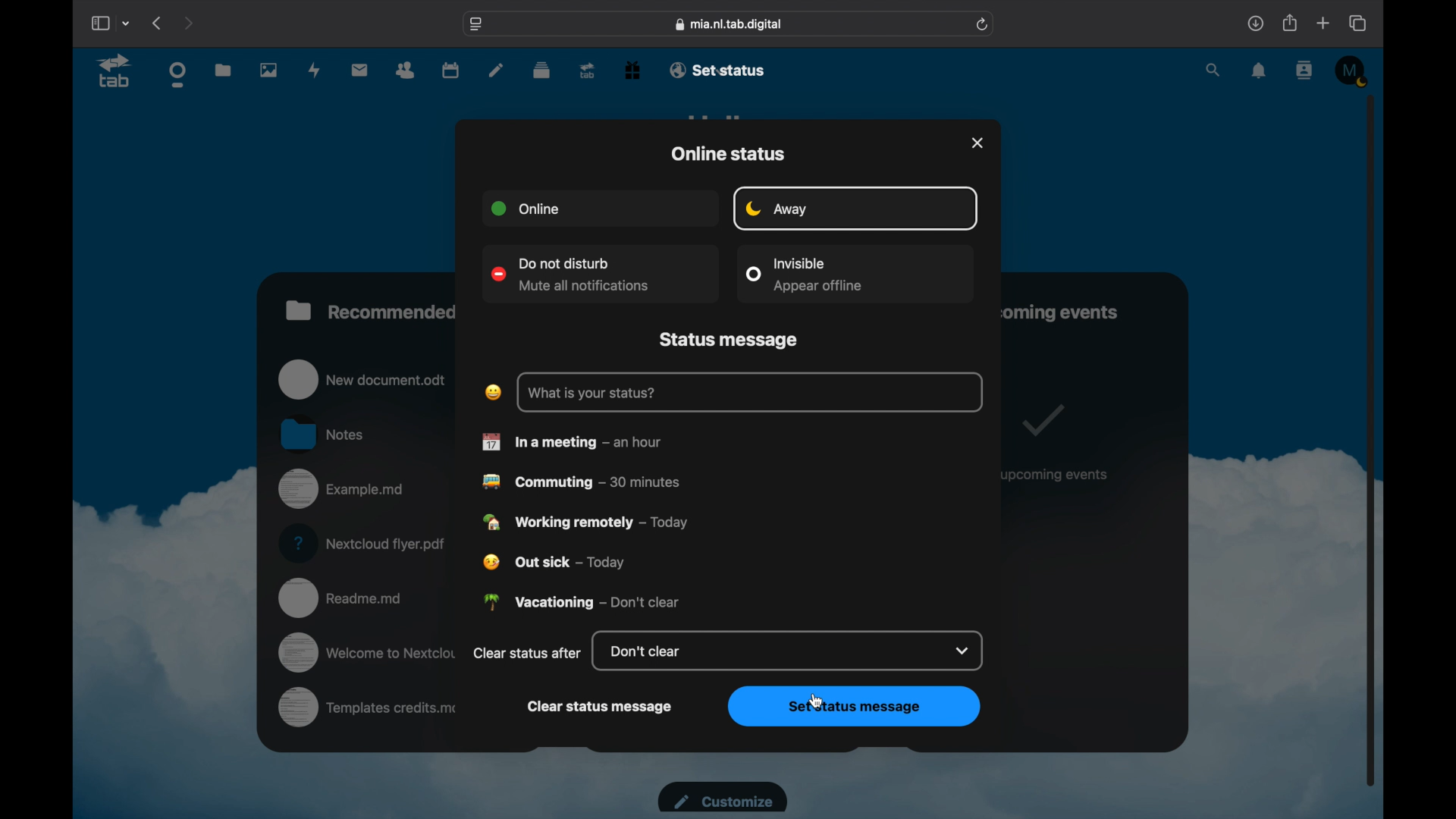 The image size is (1456, 819). What do you see at coordinates (344, 490) in the screenshot?
I see `example` at bounding box center [344, 490].